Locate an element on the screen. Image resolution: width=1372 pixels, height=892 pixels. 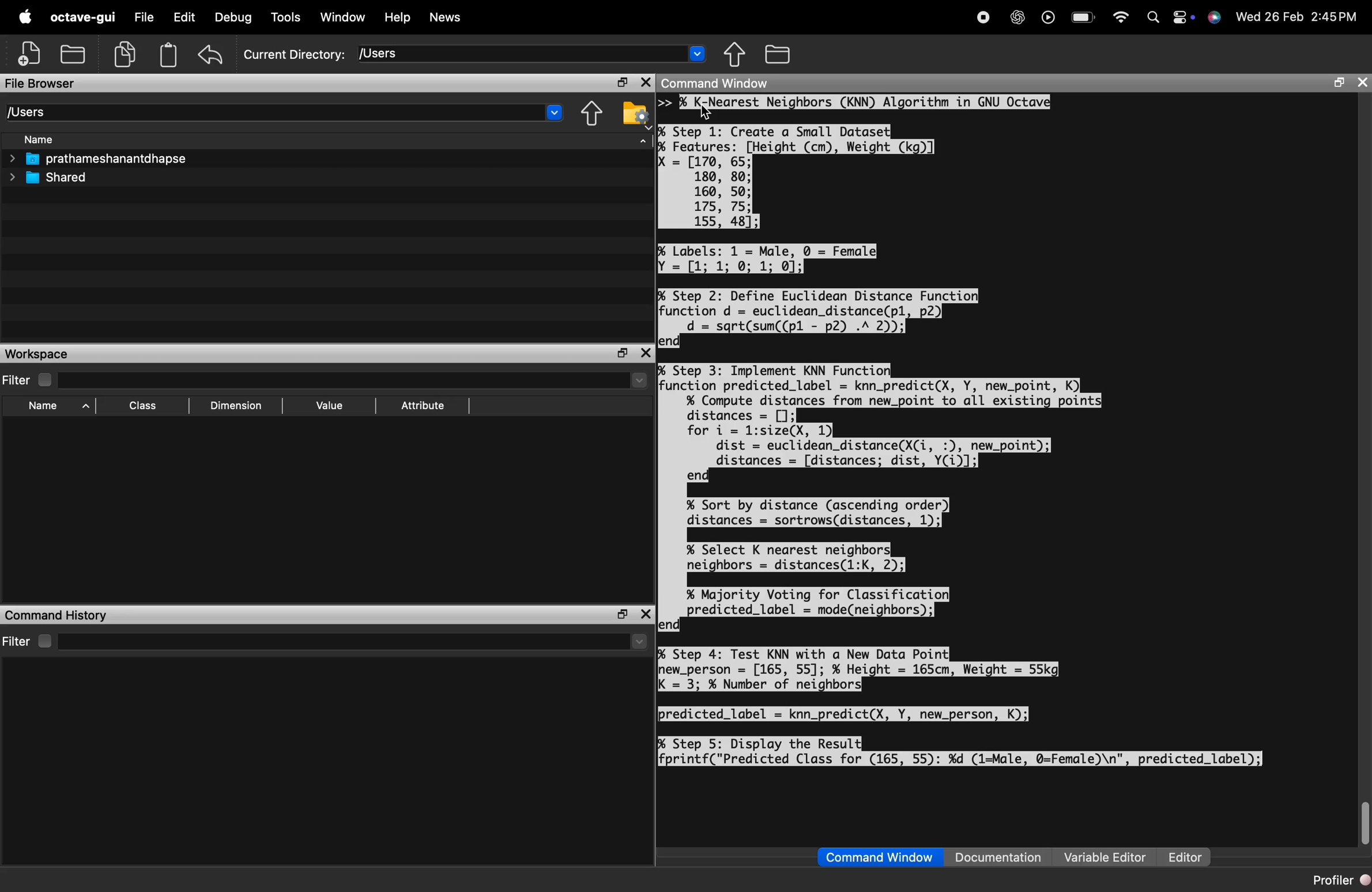
siri is located at coordinates (1215, 22).